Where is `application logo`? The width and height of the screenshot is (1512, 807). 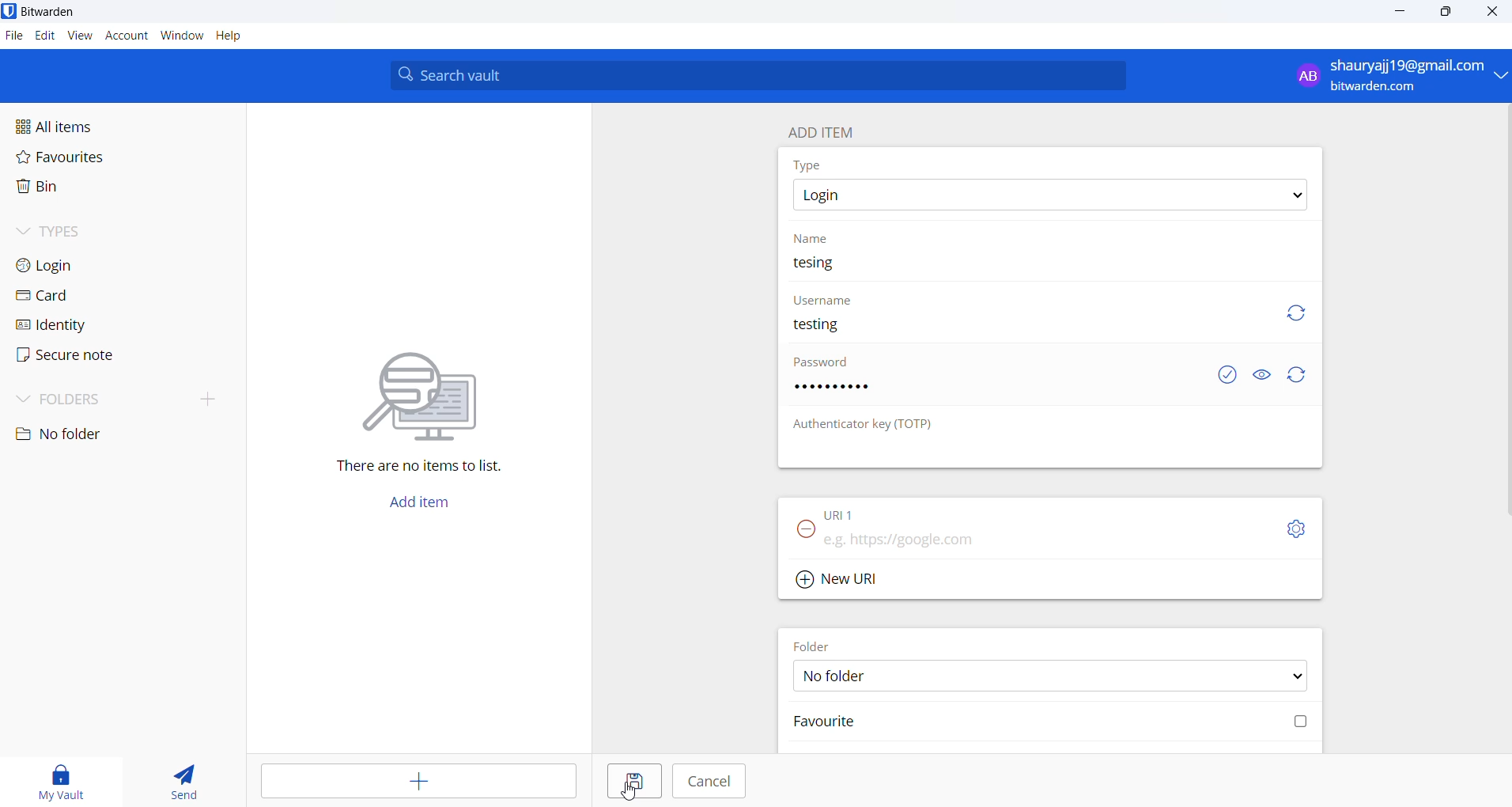 application logo is located at coordinates (9, 10).